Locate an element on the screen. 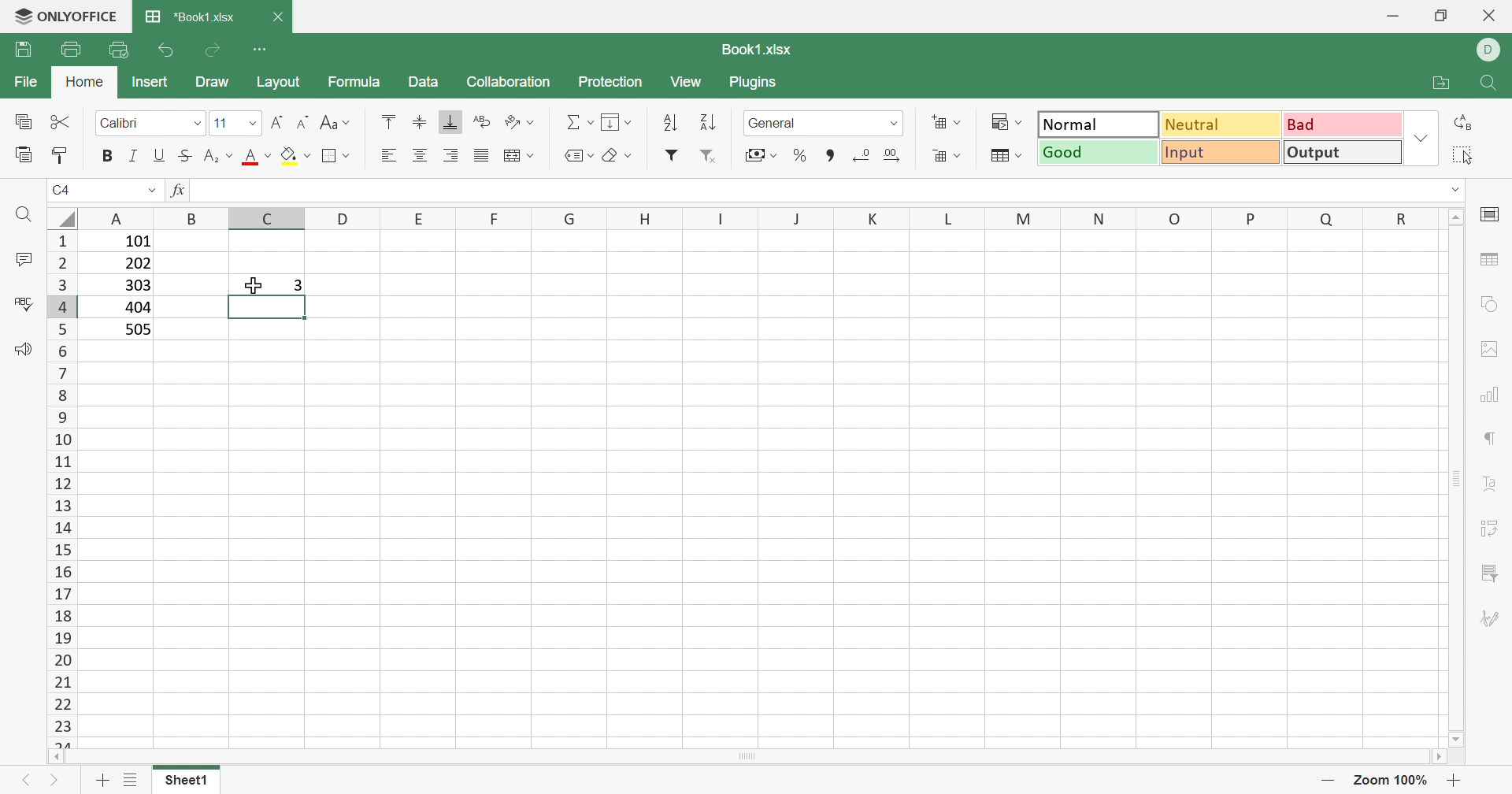  Insert is located at coordinates (150, 80).